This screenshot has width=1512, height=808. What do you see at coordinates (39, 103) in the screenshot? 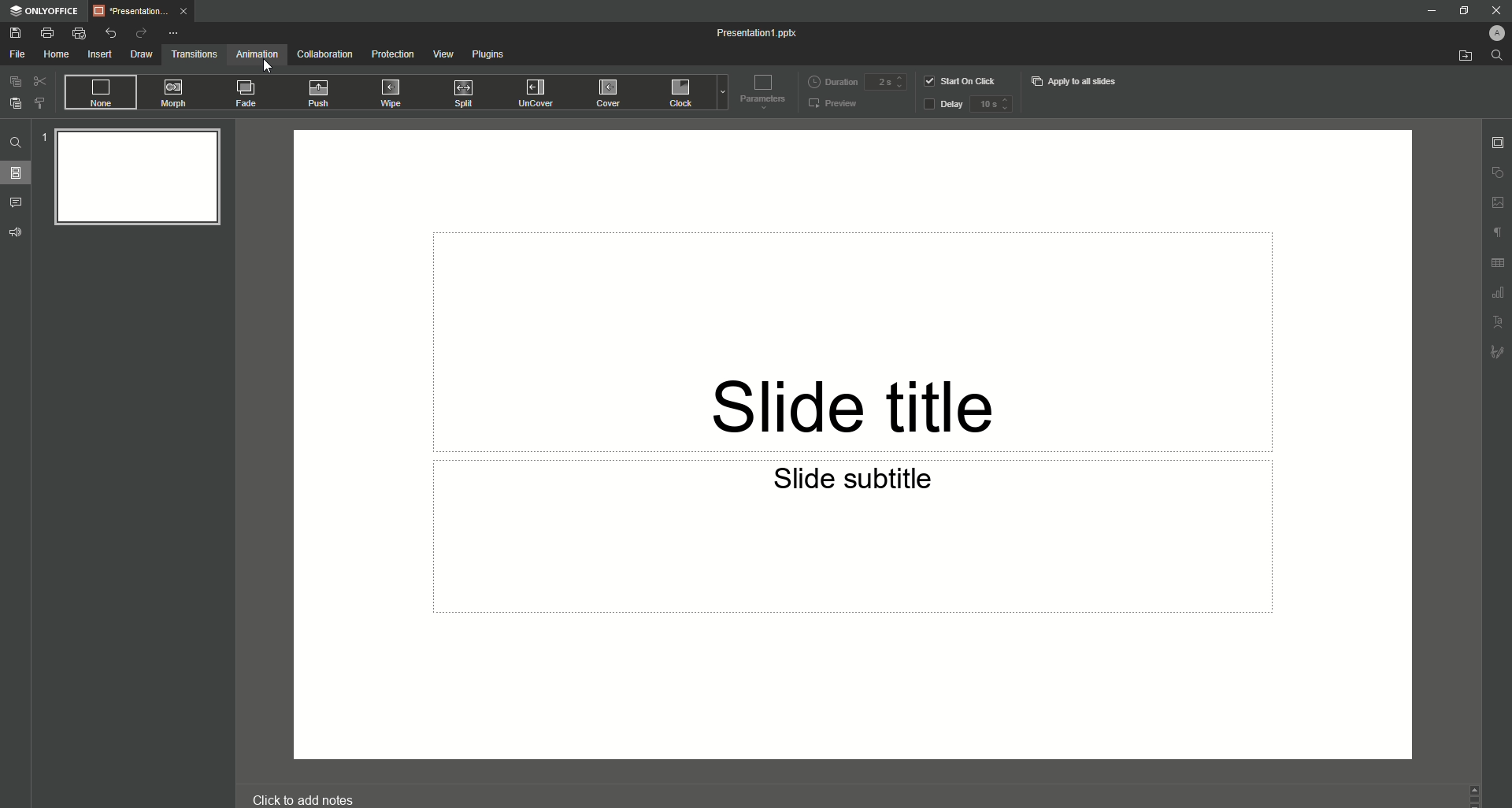
I see `Change Styles` at bounding box center [39, 103].